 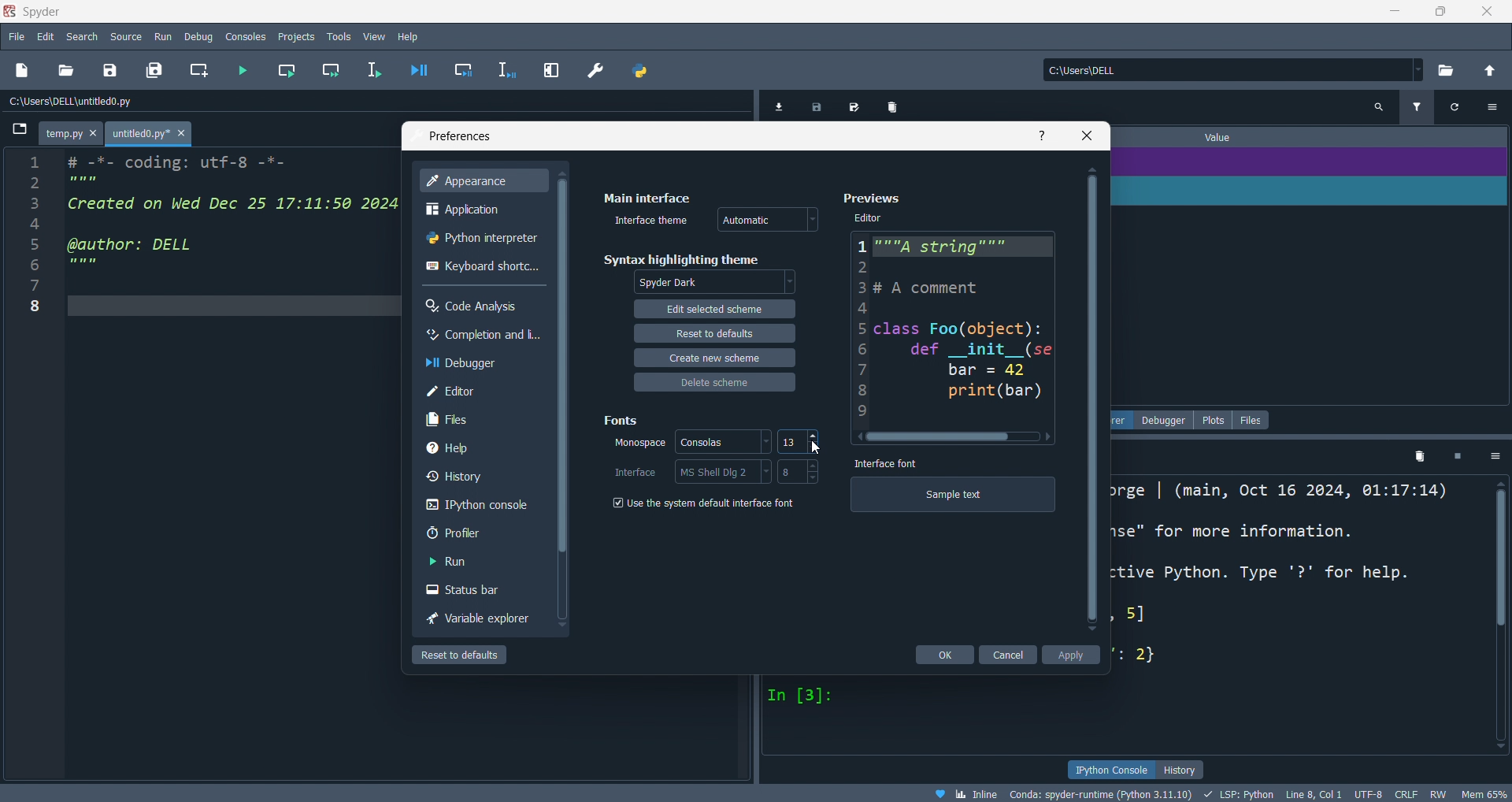 What do you see at coordinates (1091, 402) in the screenshot?
I see `scroll bar` at bounding box center [1091, 402].